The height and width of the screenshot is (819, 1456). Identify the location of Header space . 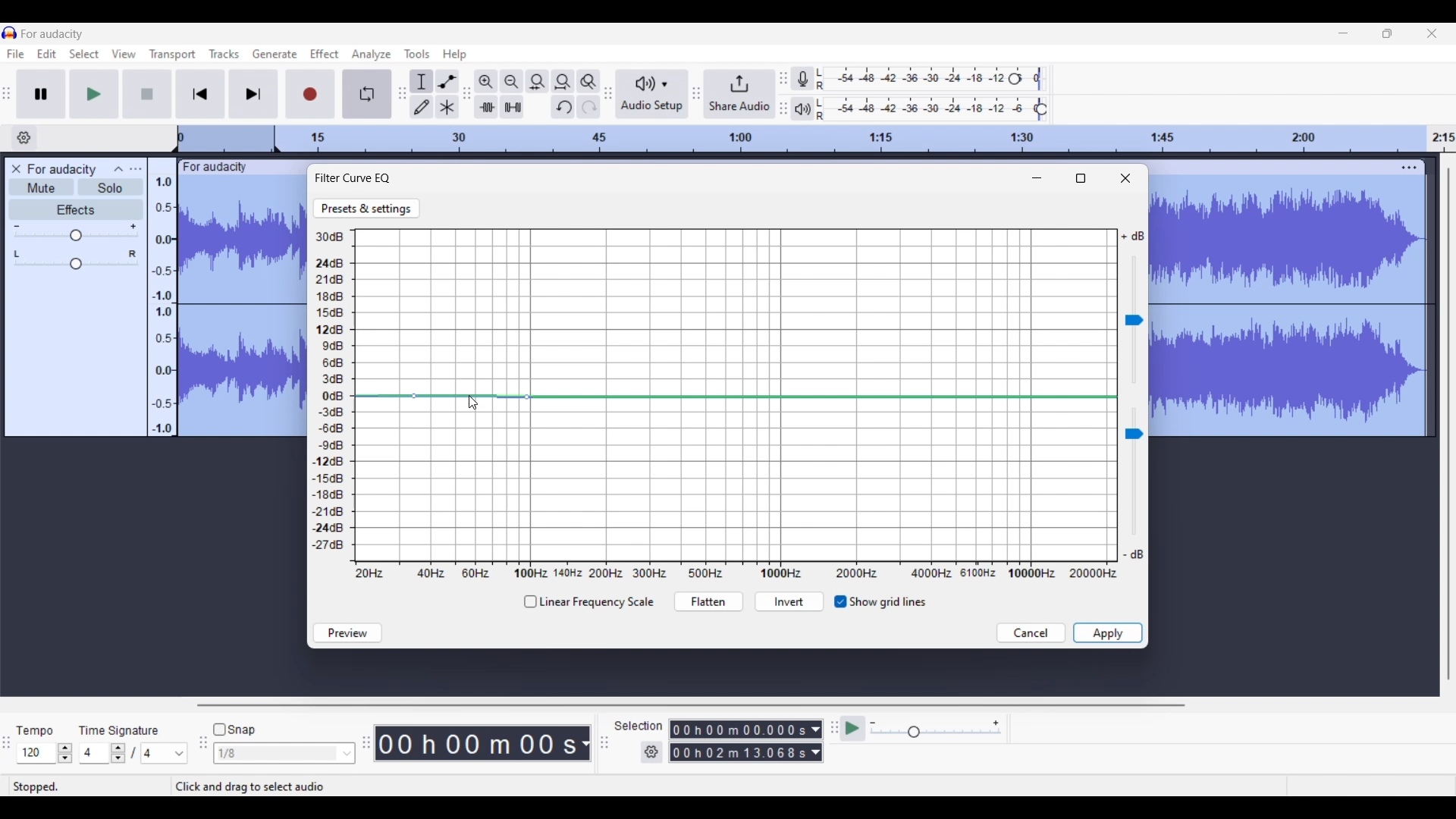
(226, 140).